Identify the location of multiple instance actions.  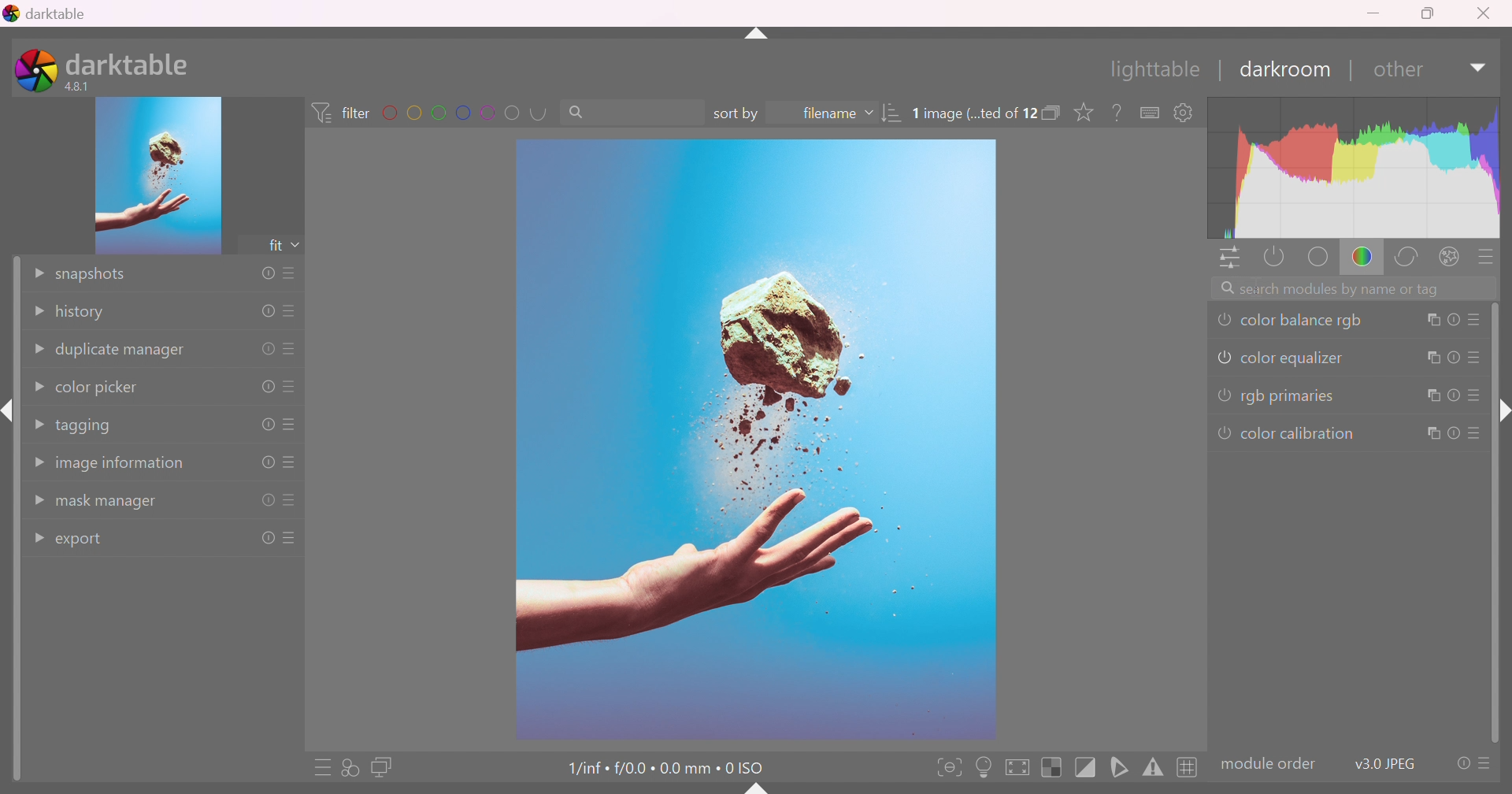
(1433, 321).